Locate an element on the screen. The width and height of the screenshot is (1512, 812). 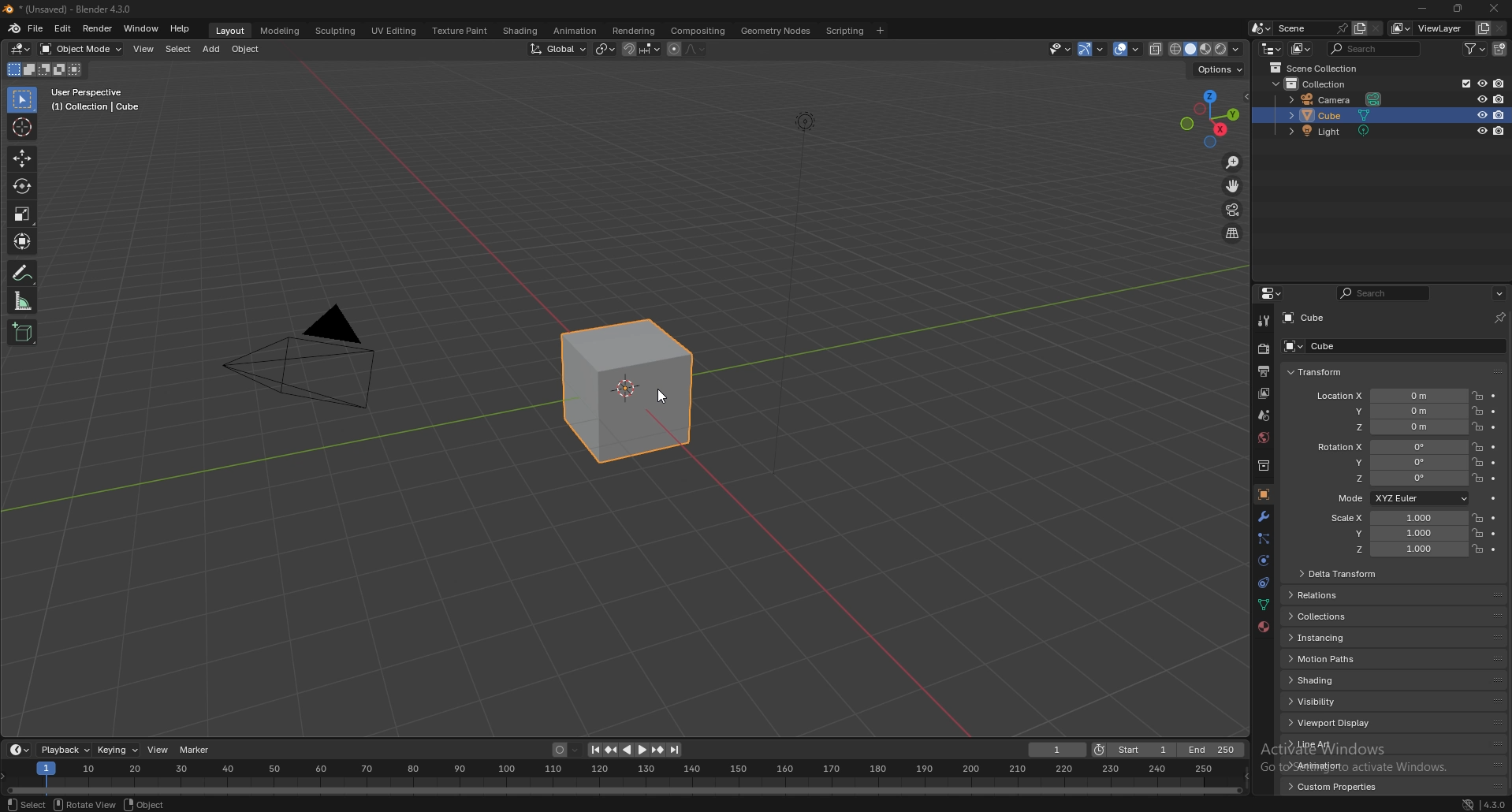
delete scene is located at coordinates (1376, 28).